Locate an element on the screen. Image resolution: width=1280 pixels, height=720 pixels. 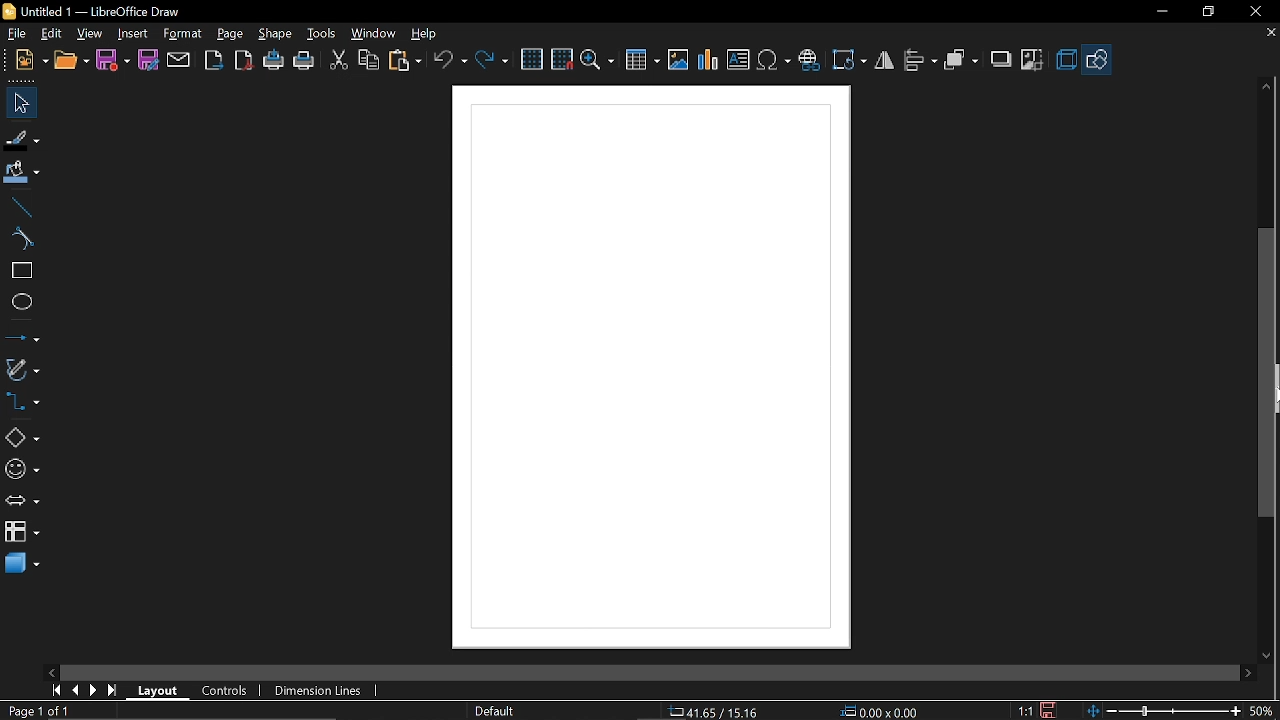
vertical scrollbar is located at coordinates (1266, 374).